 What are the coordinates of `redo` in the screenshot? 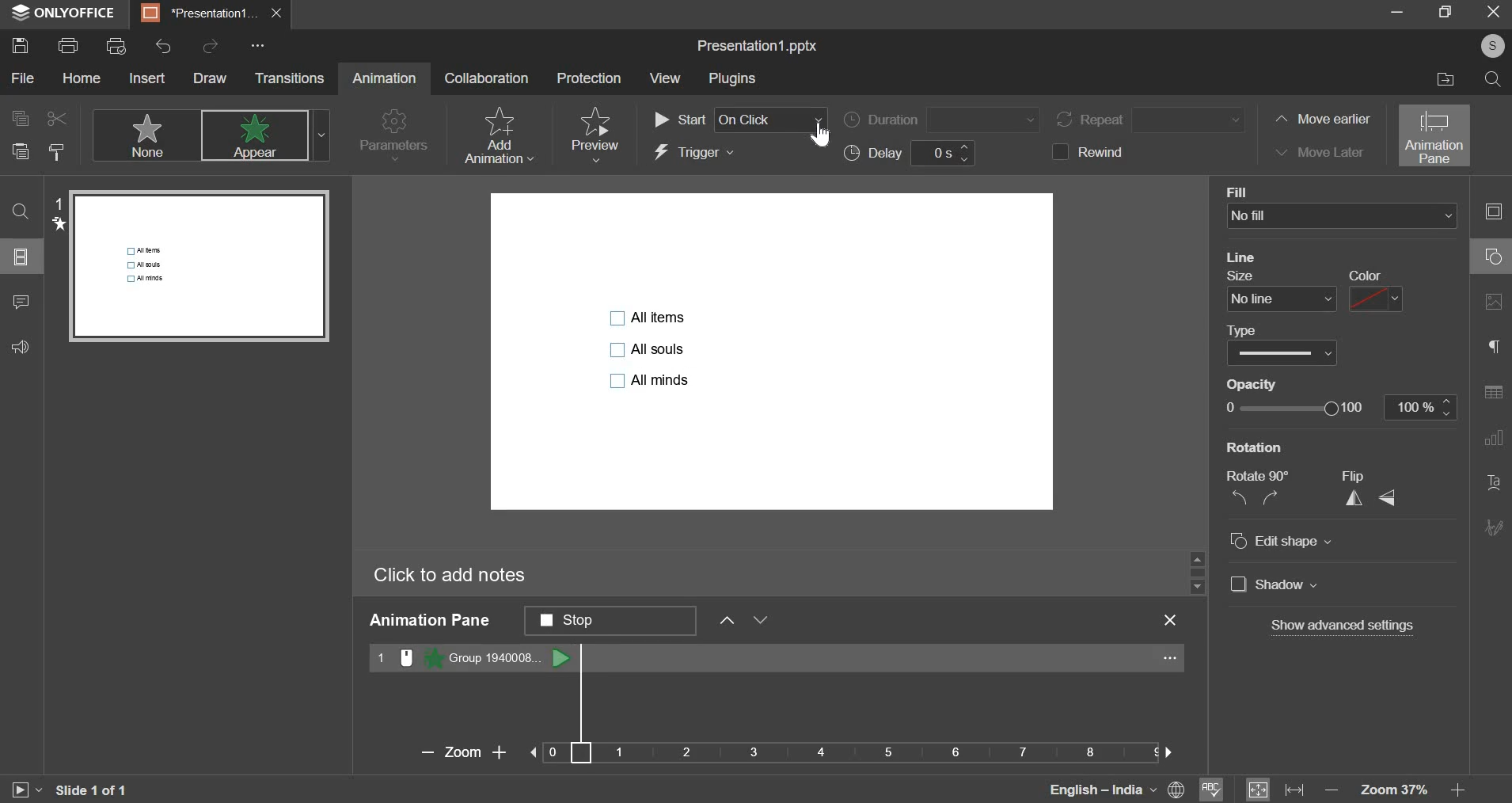 It's located at (209, 44).